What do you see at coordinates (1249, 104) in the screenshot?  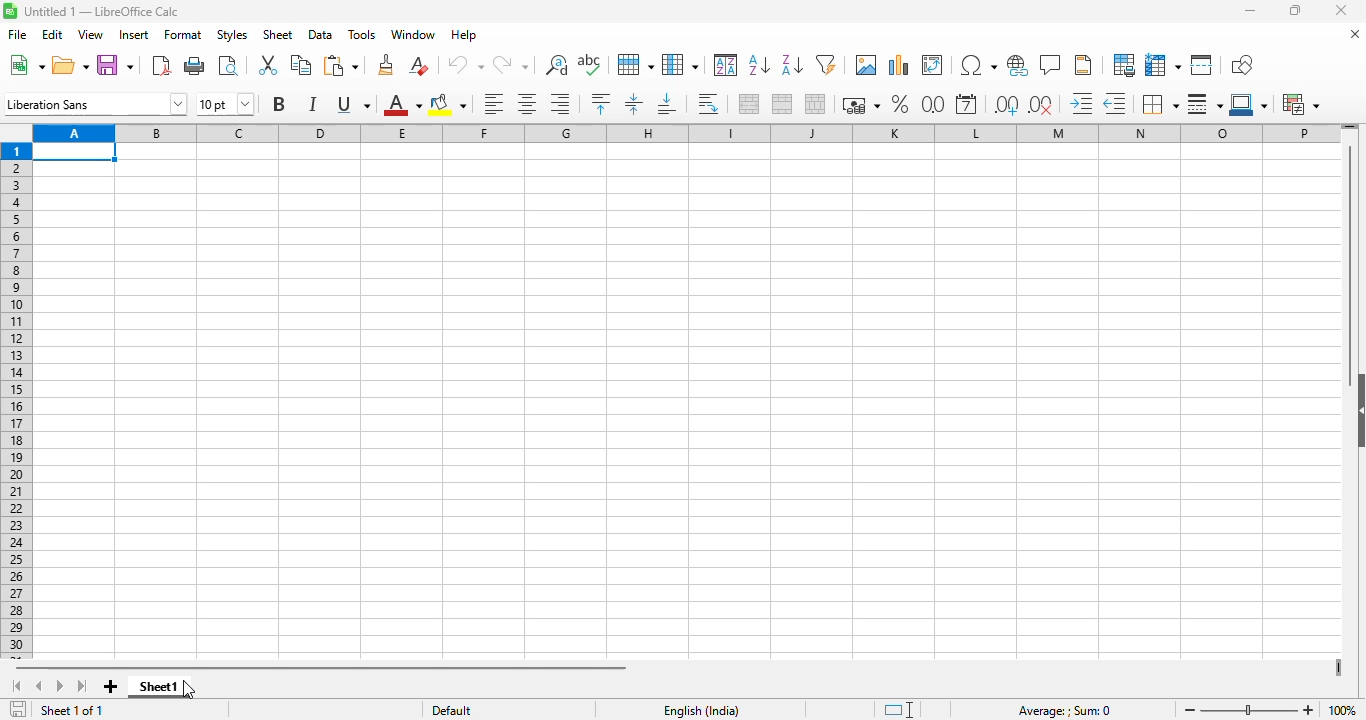 I see `border color` at bounding box center [1249, 104].